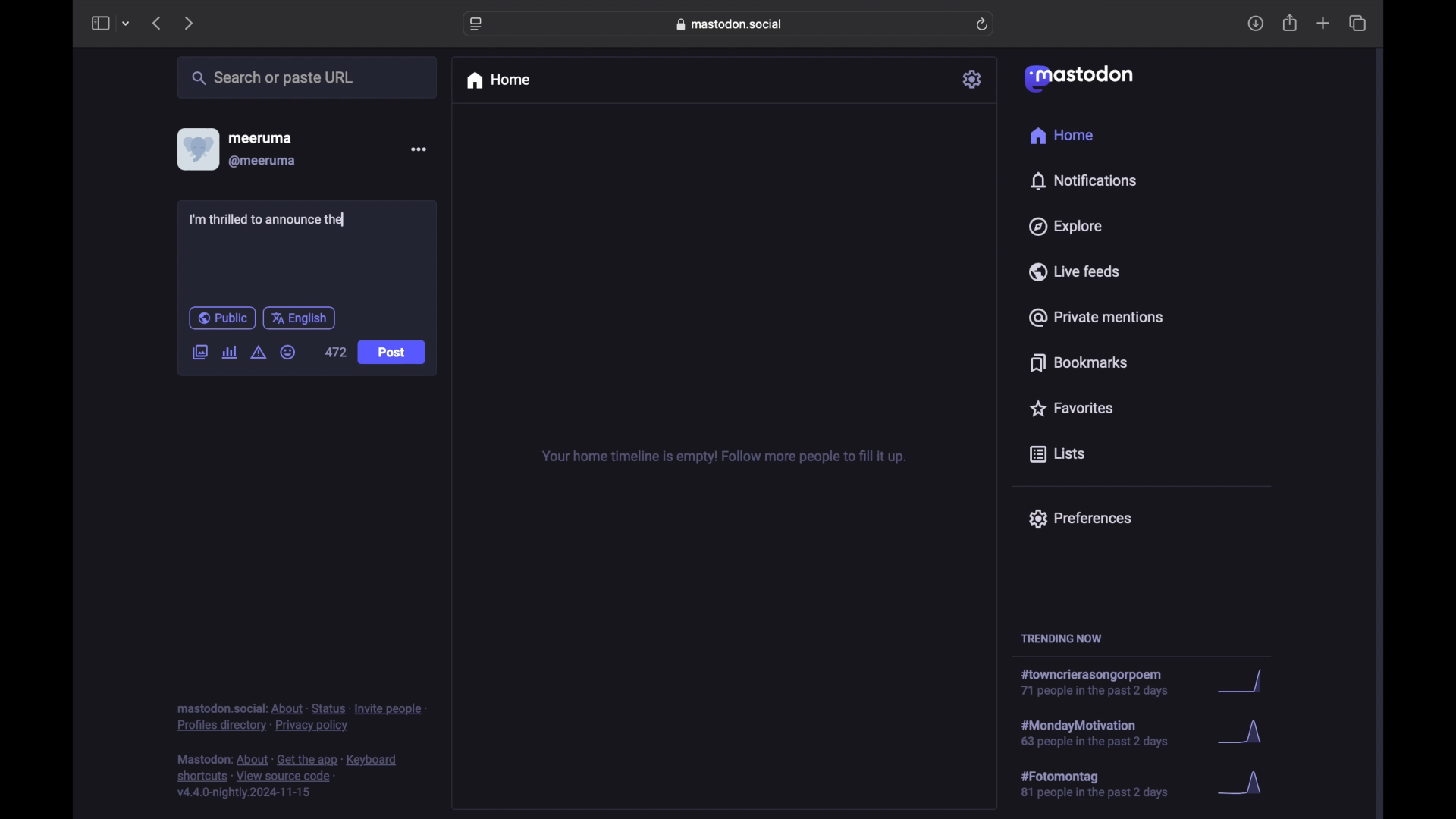 The image size is (1456, 819). Describe the element at coordinates (1359, 23) in the screenshot. I see `show tab overview` at that location.